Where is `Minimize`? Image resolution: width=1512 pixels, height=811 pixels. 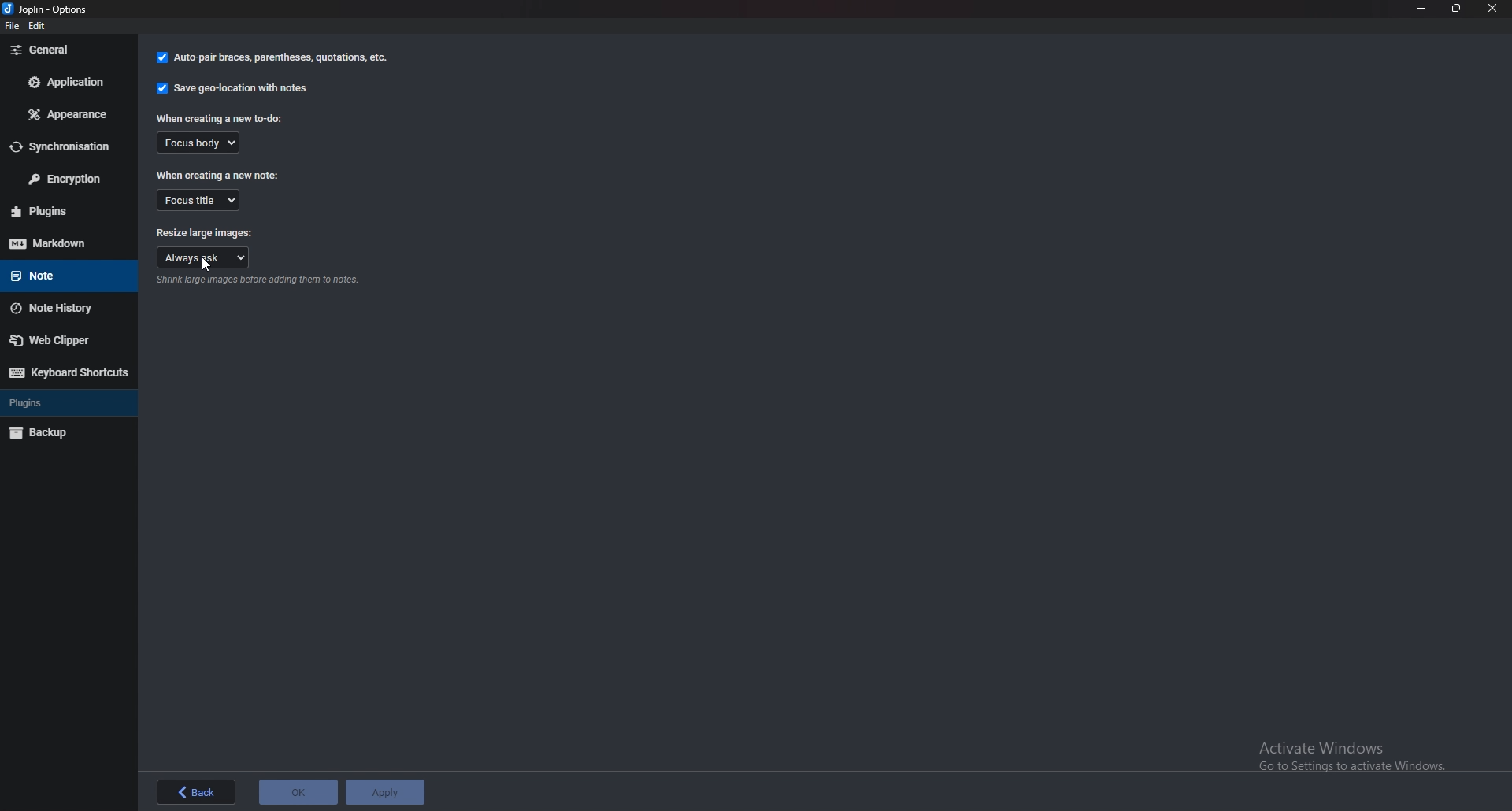 Minimize is located at coordinates (1422, 8).